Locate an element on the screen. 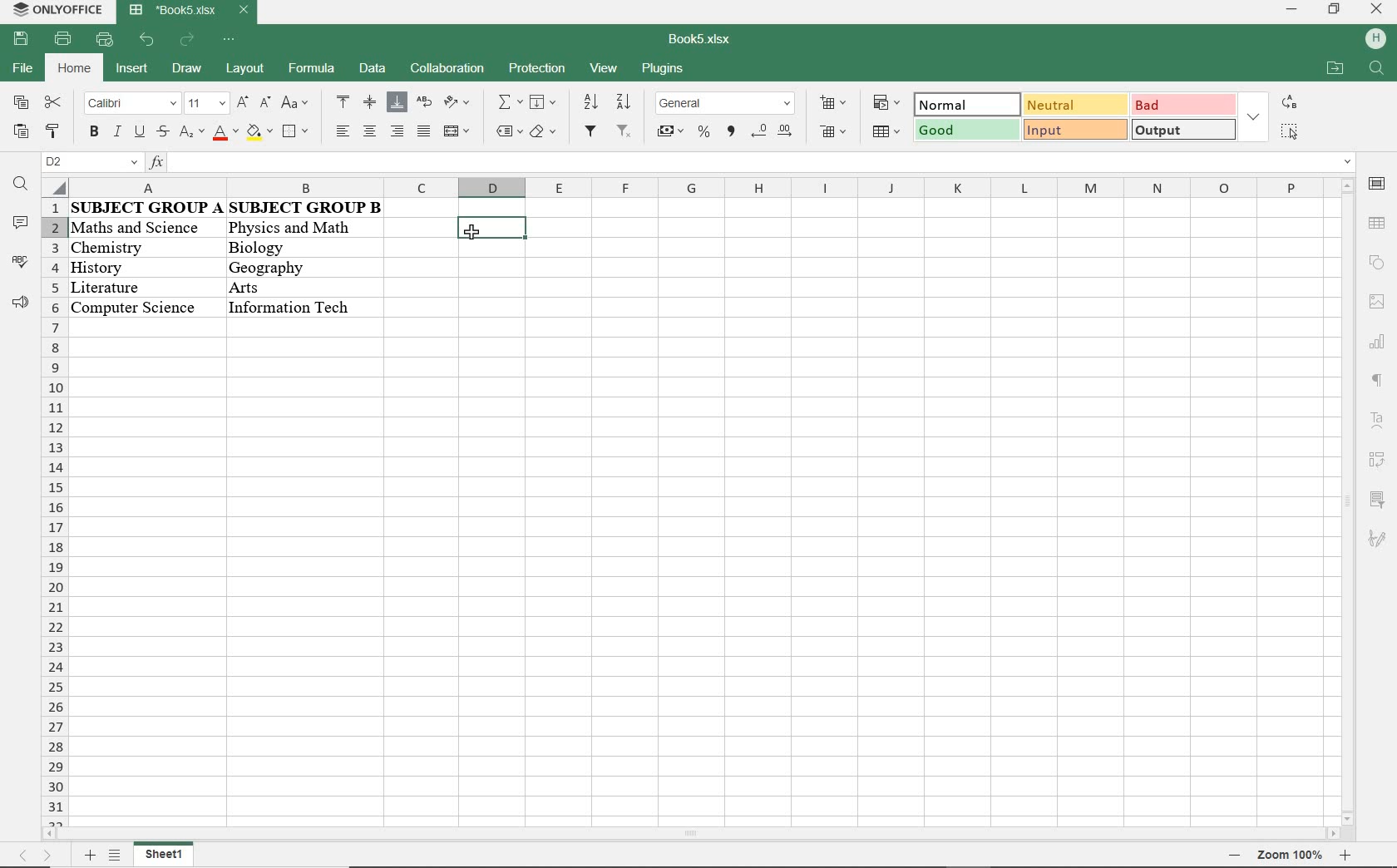 This screenshot has width=1397, height=868. sign is located at coordinates (1375, 264).